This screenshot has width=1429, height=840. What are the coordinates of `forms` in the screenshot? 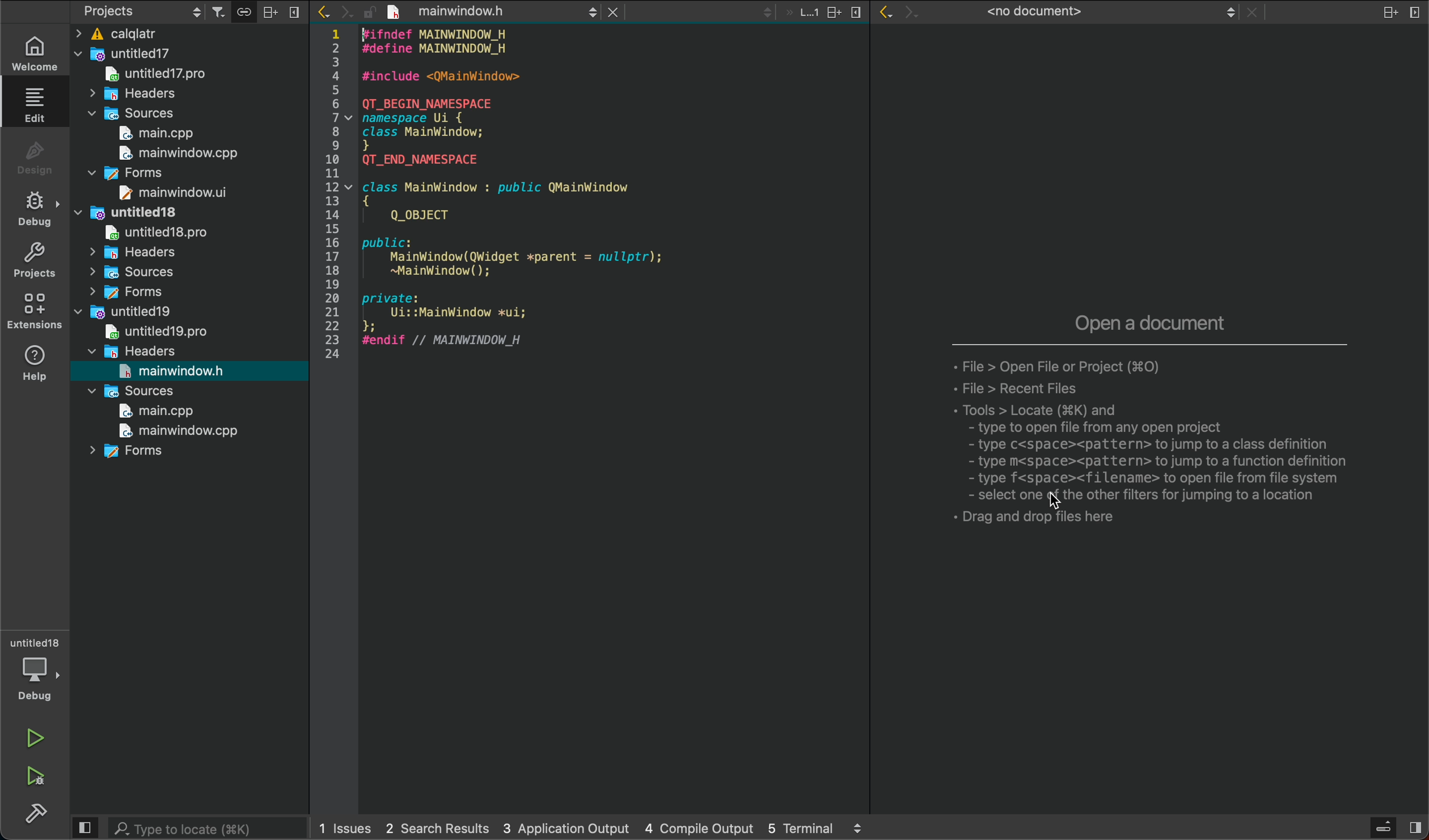 It's located at (137, 173).